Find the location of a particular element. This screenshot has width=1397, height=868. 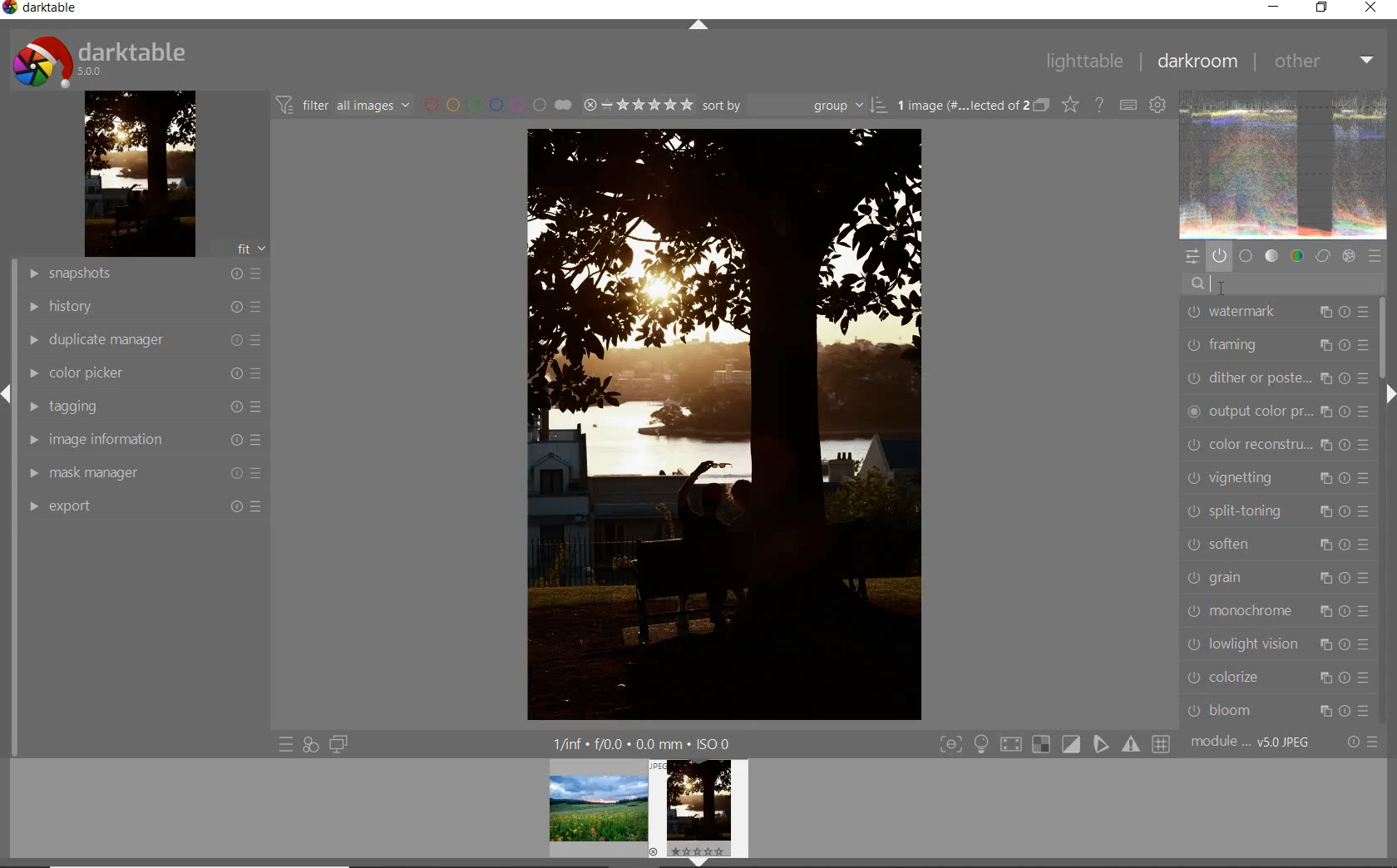

image is located at coordinates (140, 174).